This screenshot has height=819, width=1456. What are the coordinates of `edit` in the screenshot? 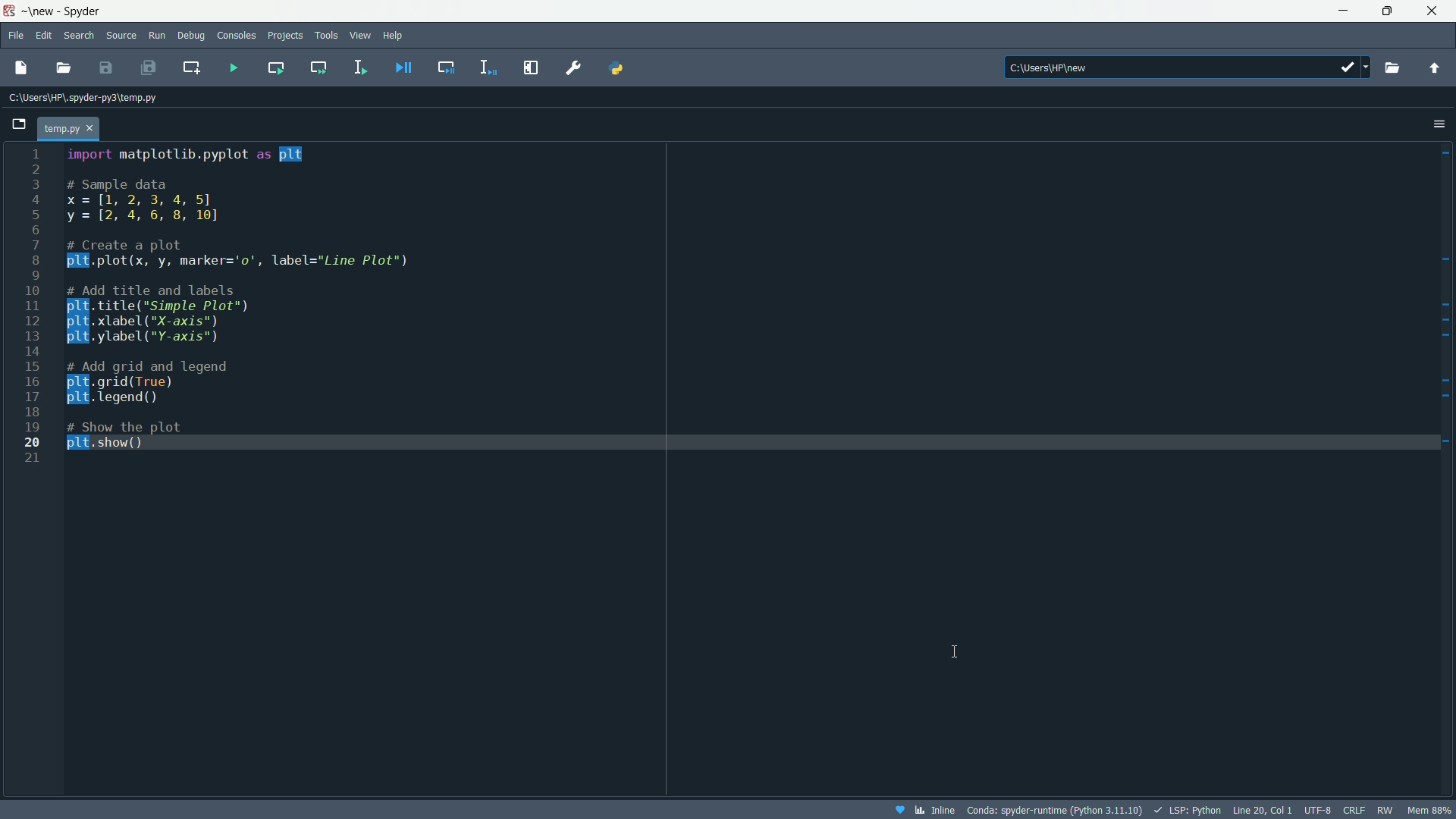 It's located at (44, 36).